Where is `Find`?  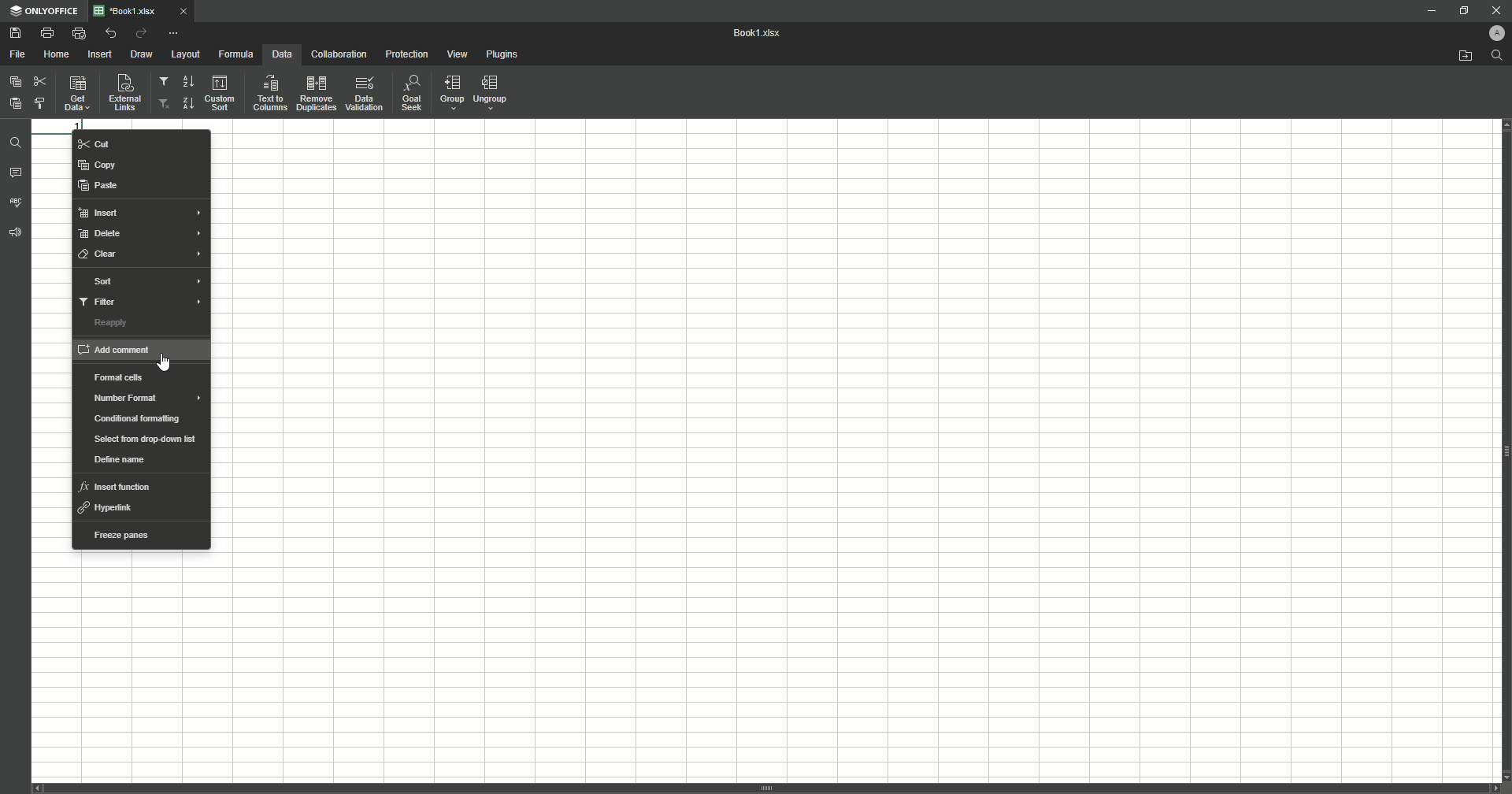 Find is located at coordinates (17, 141).